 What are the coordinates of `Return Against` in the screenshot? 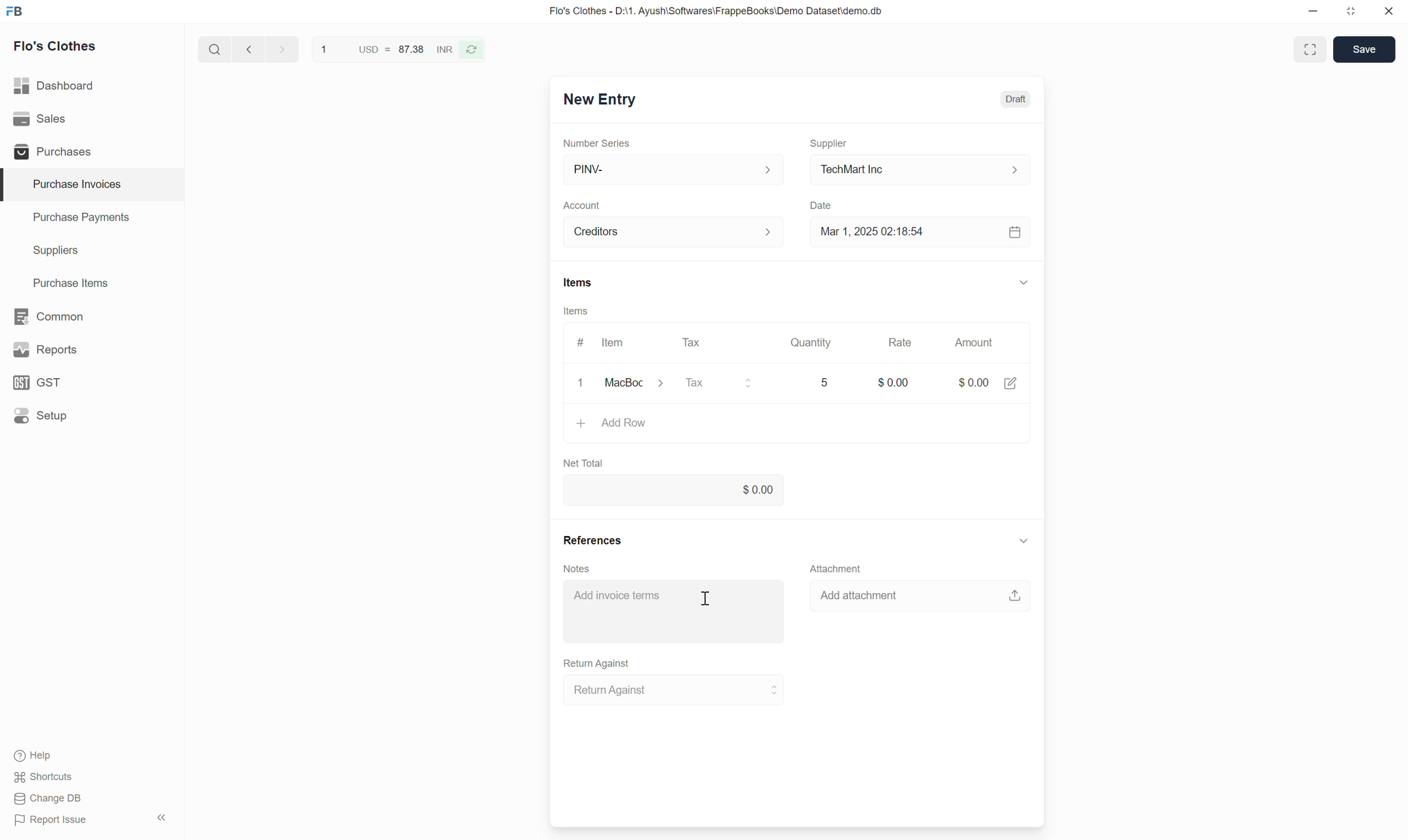 It's located at (597, 664).